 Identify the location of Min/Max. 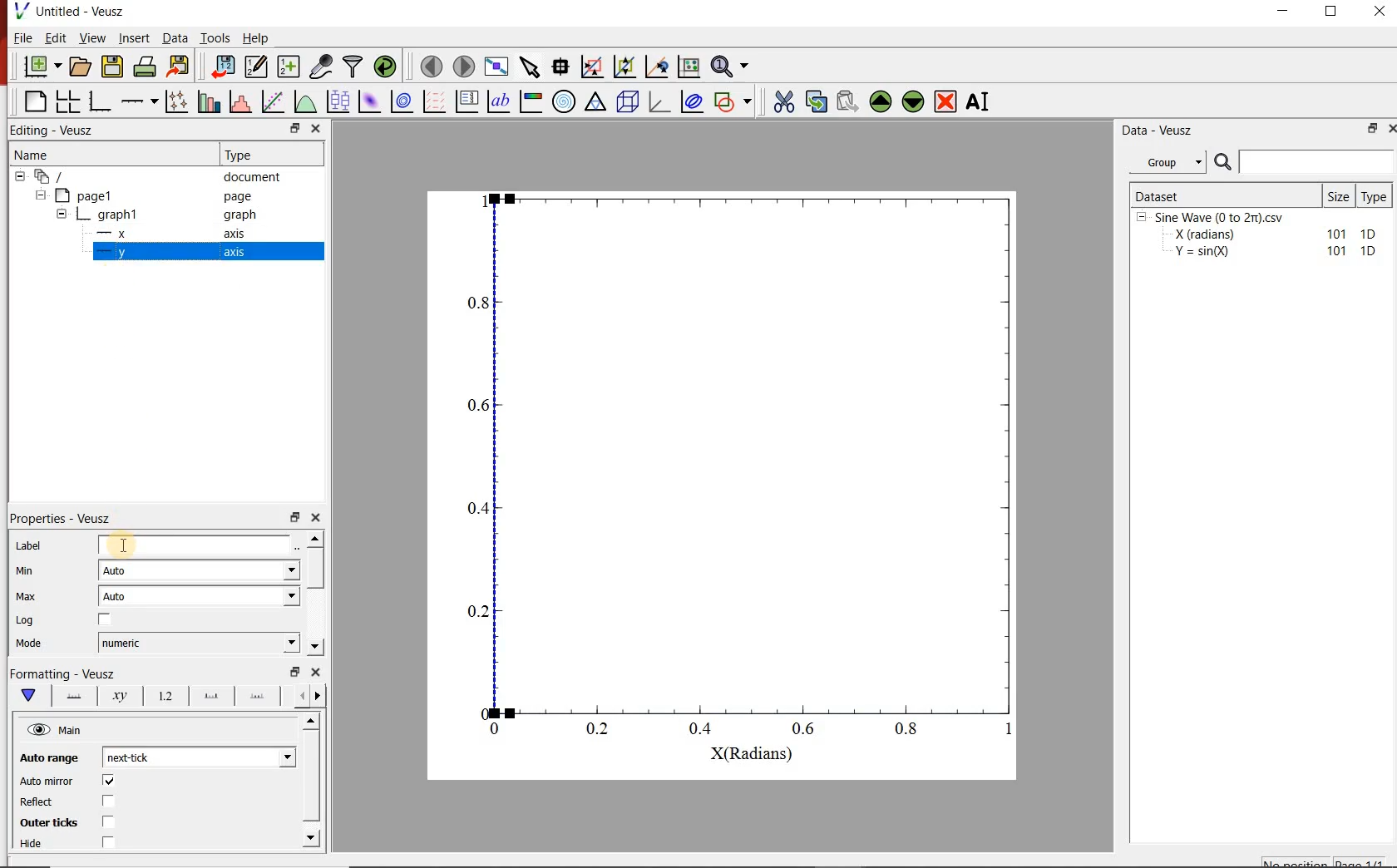
(293, 129).